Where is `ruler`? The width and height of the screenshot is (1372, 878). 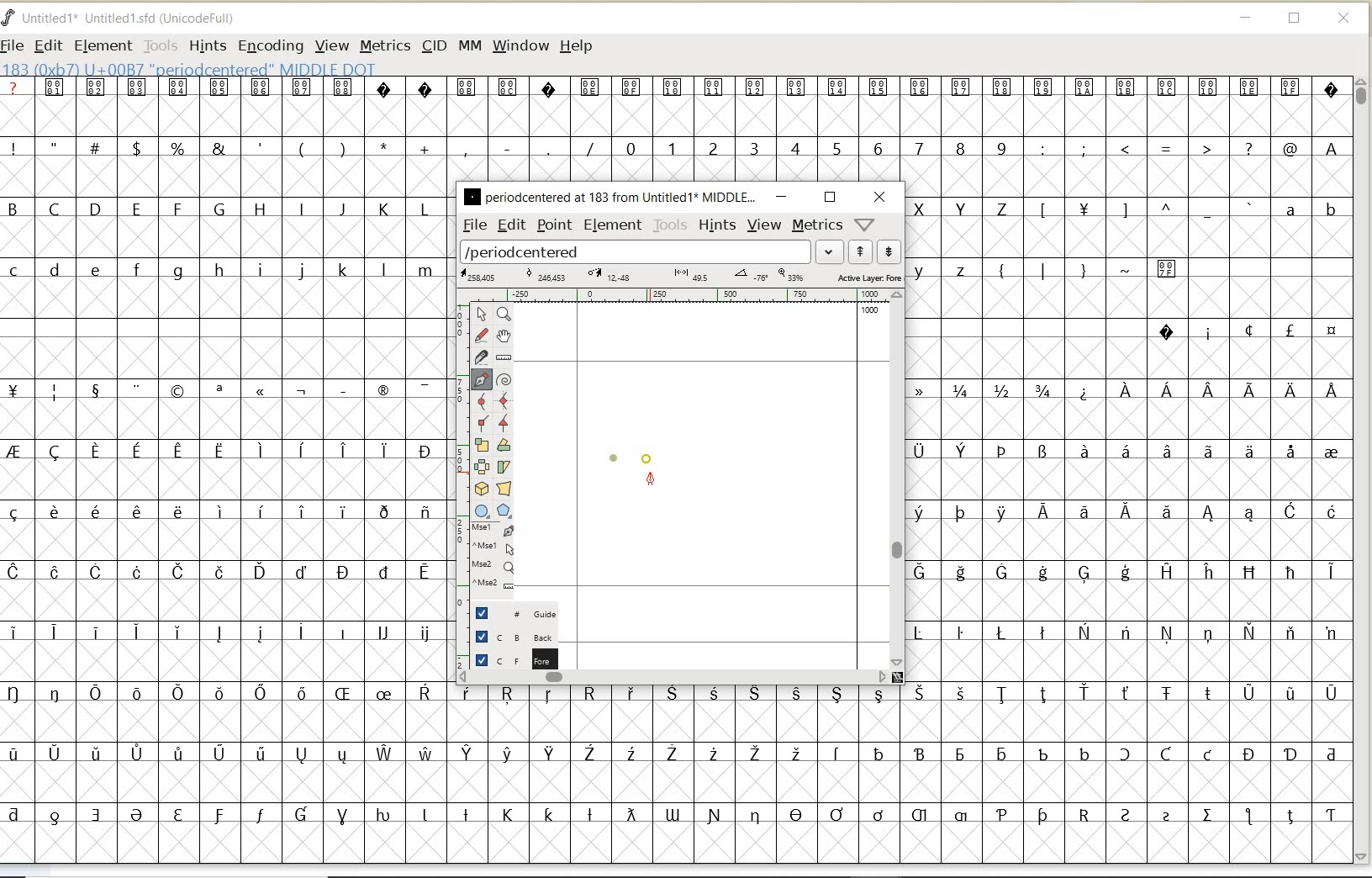
ruler is located at coordinates (683, 297).